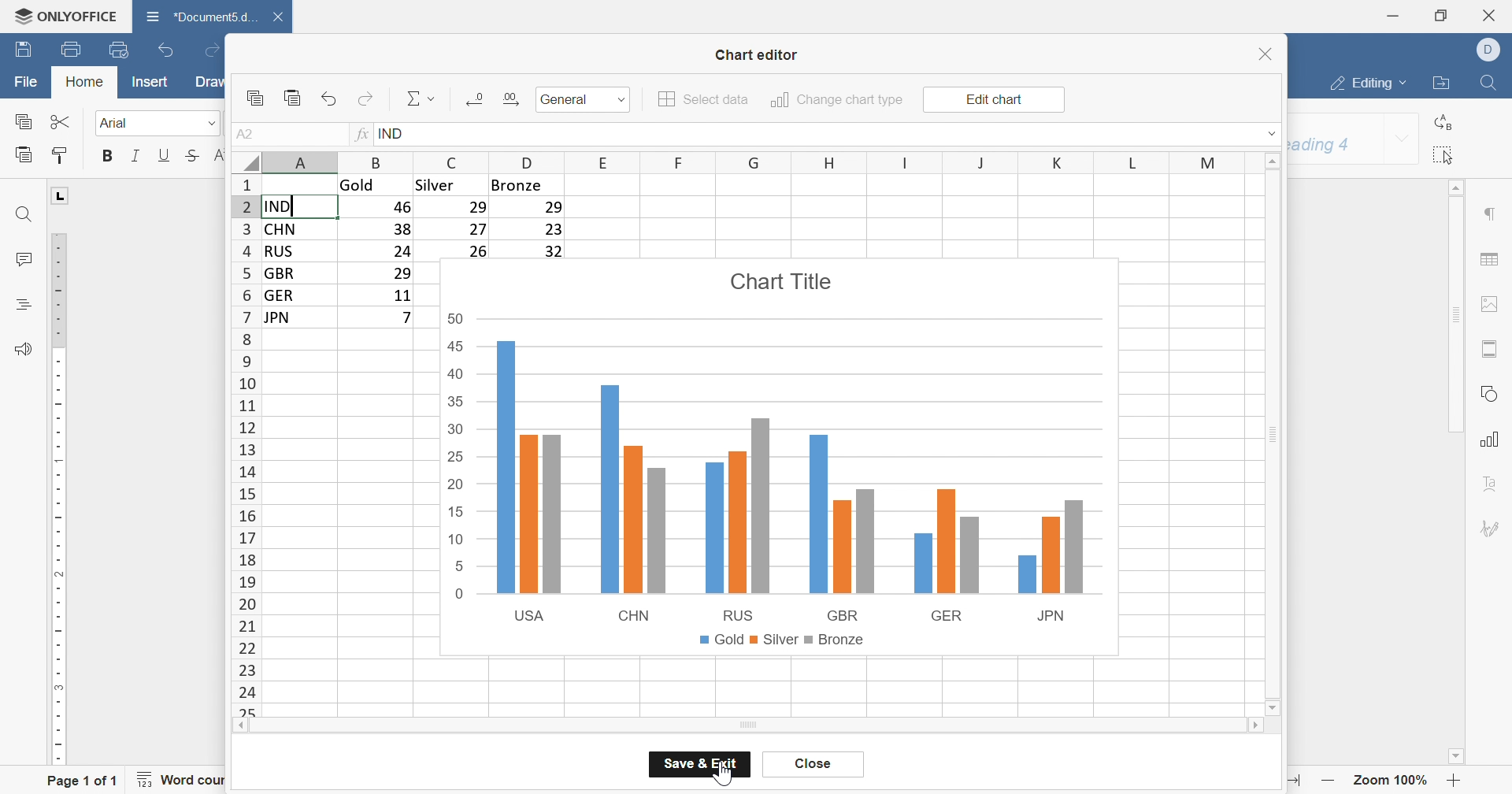  What do you see at coordinates (757, 55) in the screenshot?
I see `chart editor` at bounding box center [757, 55].